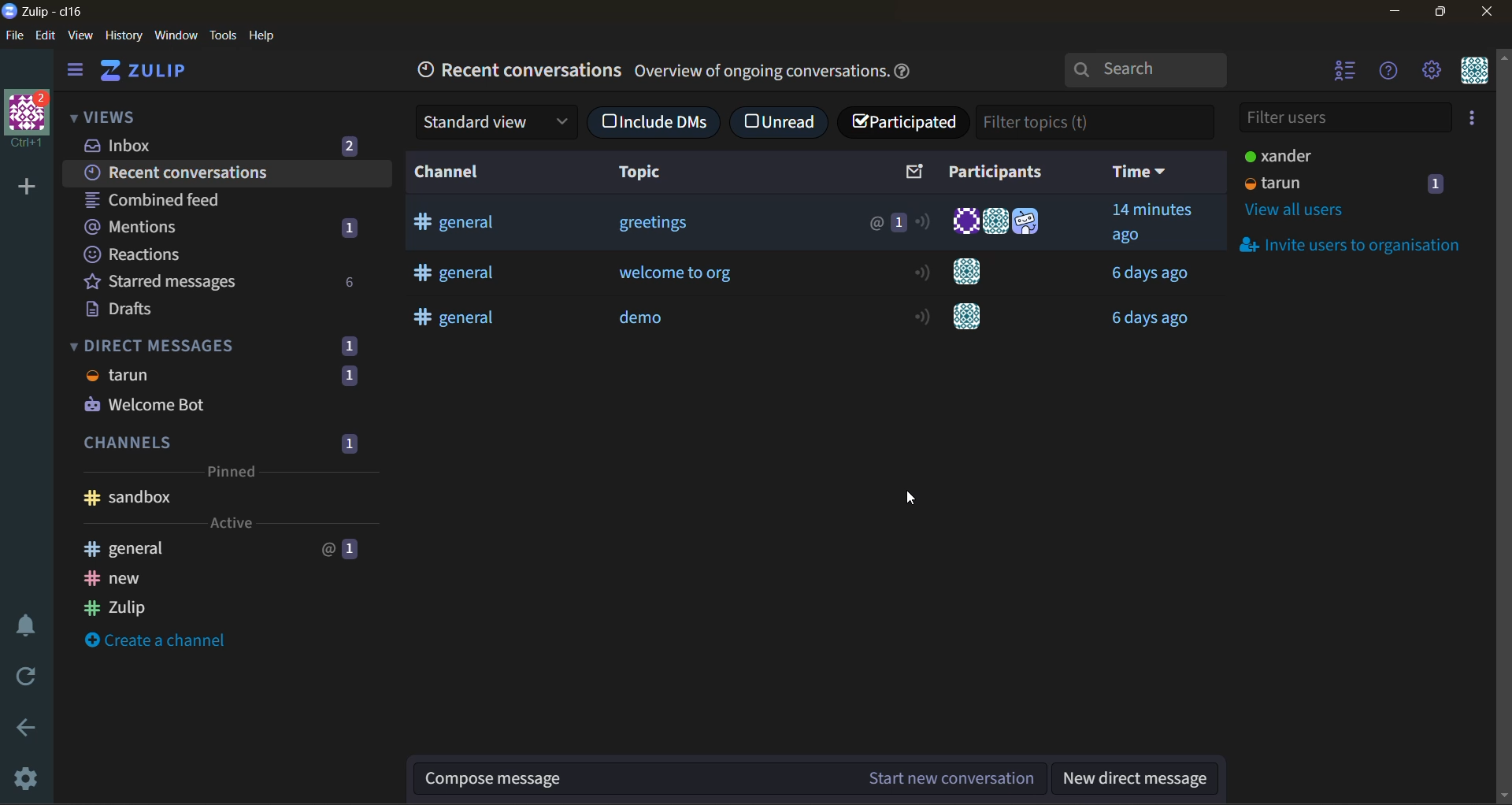  Describe the element at coordinates (221, 438) in the screenshot. I see `channels` at that location.